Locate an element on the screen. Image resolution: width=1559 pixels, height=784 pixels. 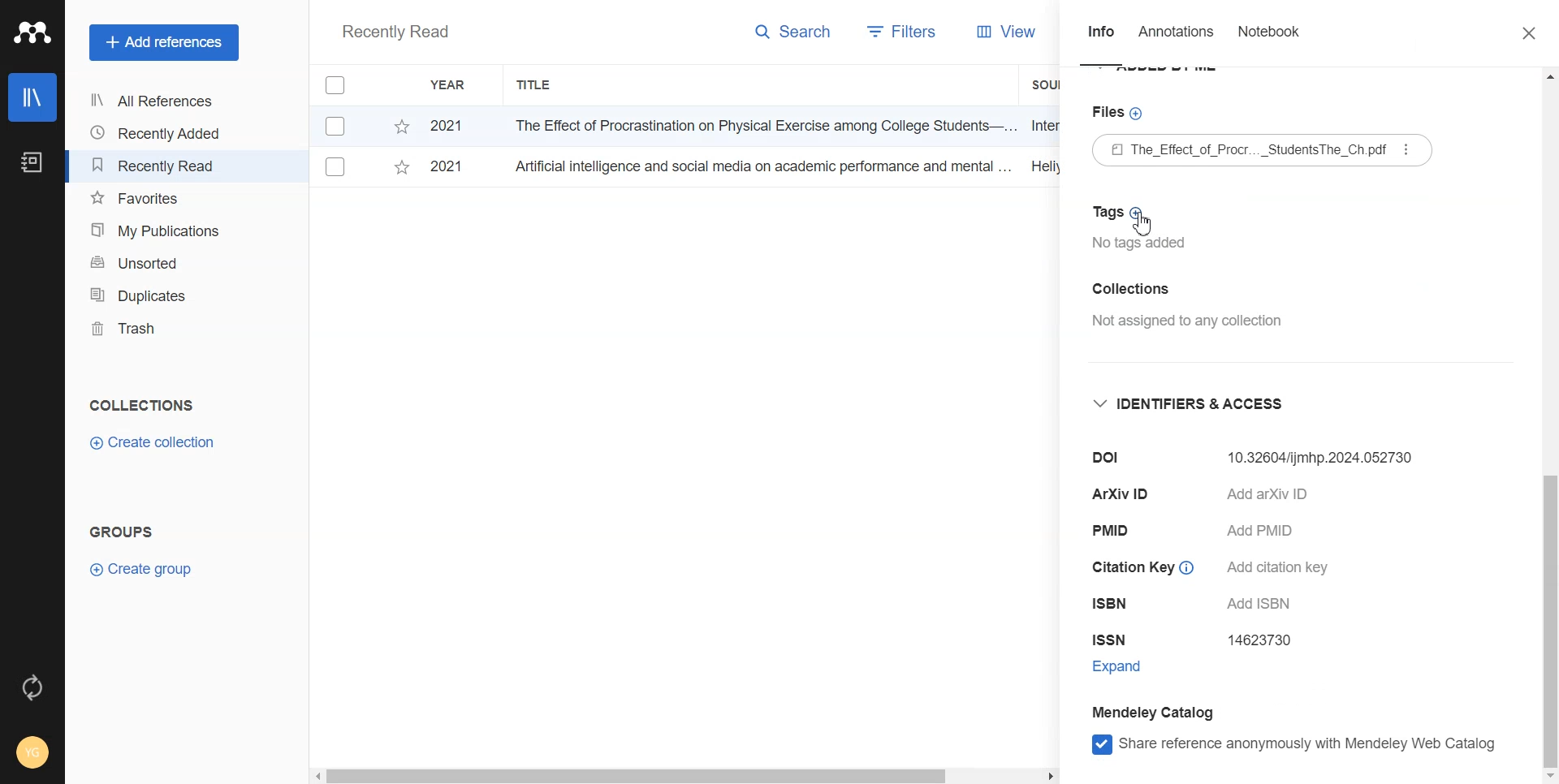
Info is located at coordinates (1101, 37).